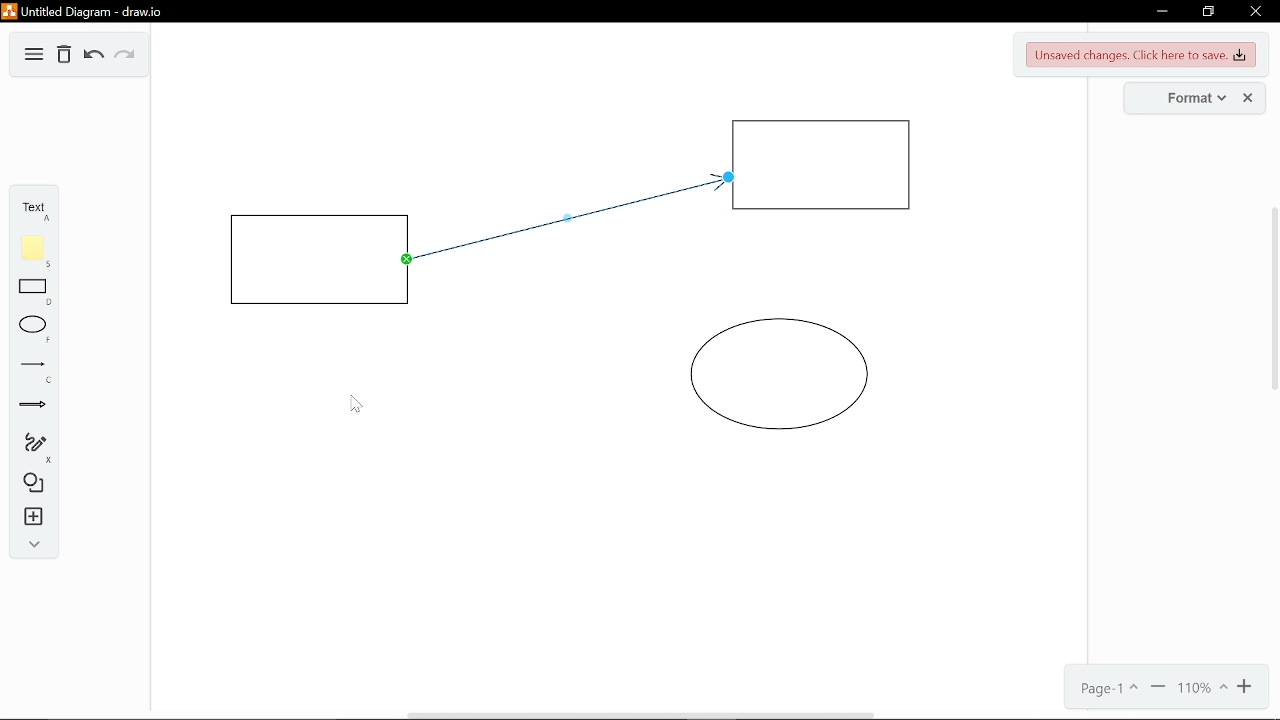  Describe the element at coordinates (94, 57) in the screenshot. I see `Undo` at that location.